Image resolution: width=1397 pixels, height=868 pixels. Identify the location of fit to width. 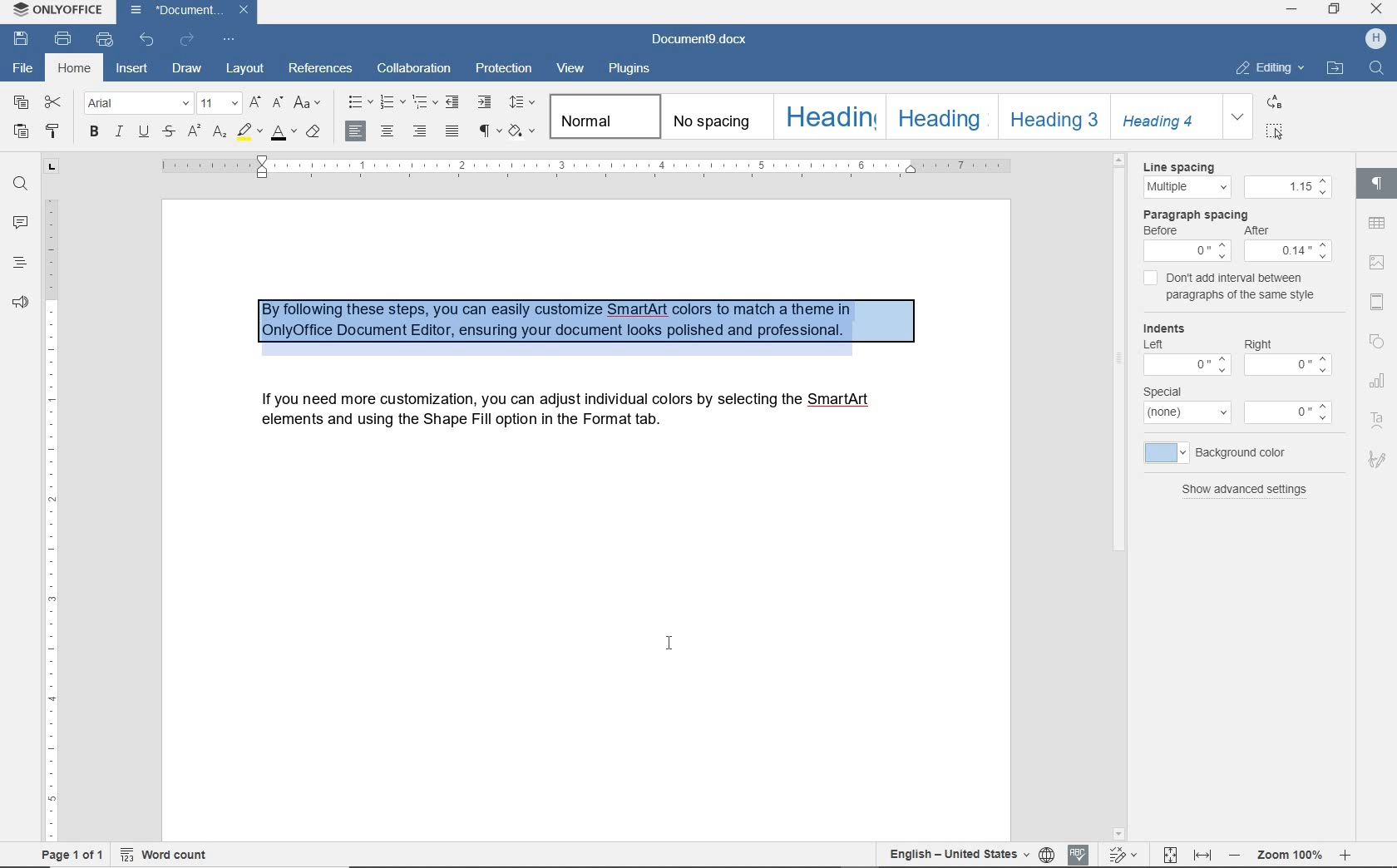
(1203, 856).